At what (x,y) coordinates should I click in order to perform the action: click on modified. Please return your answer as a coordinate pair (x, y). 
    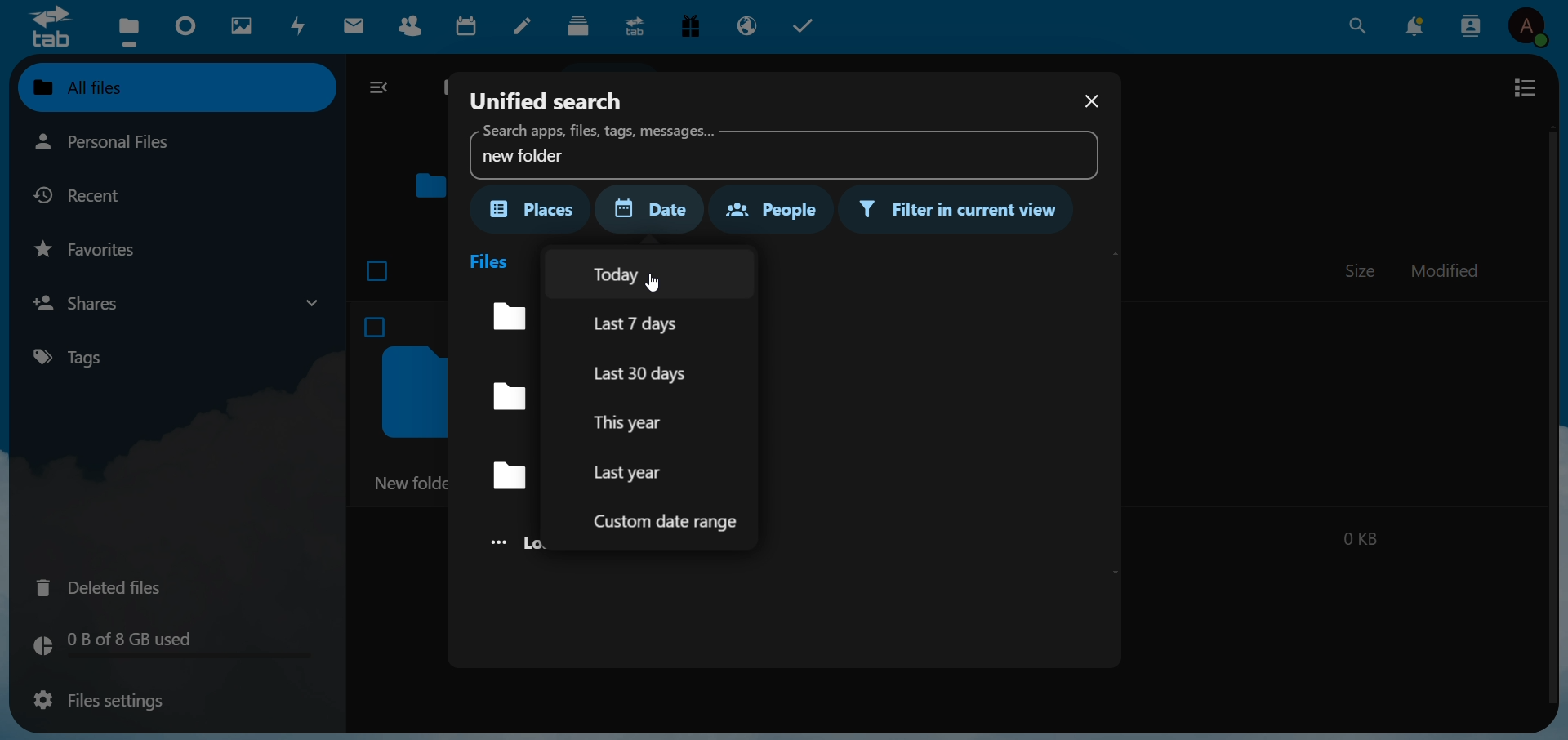
    Looking at the image, I should click on (1446, 273).